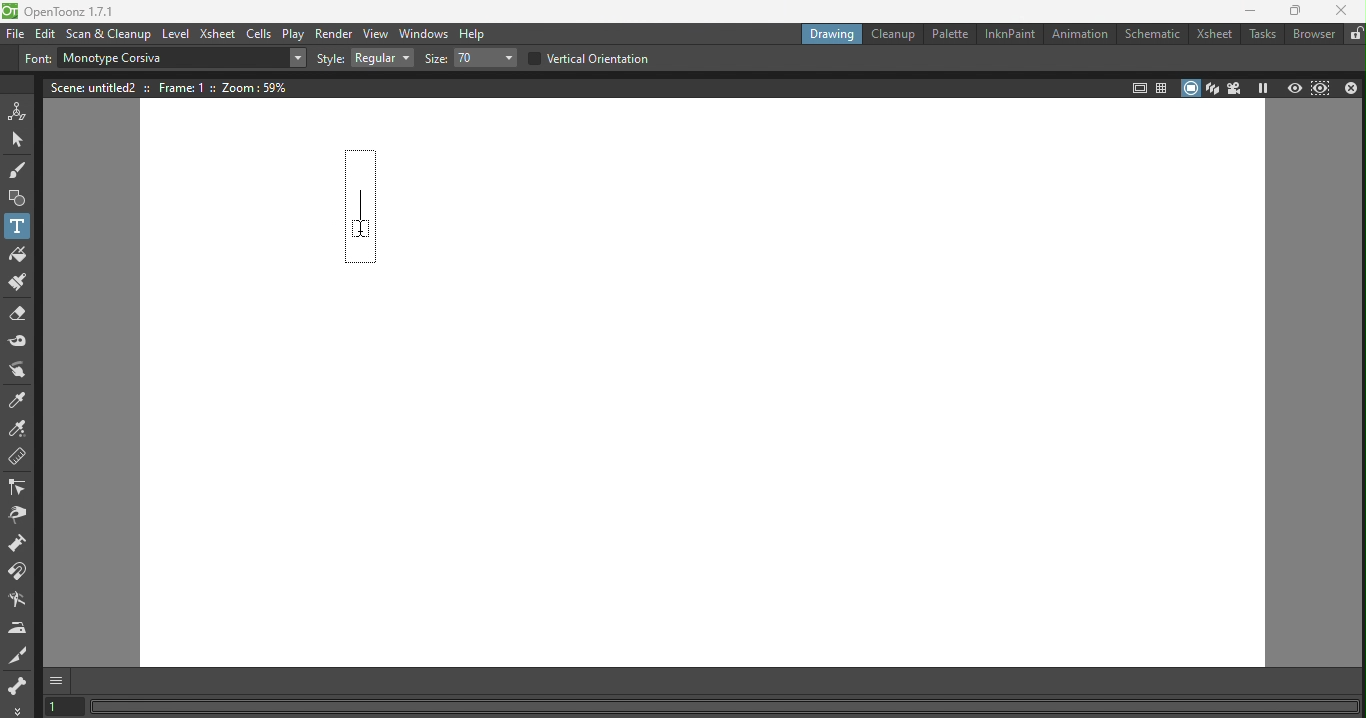  What do you see at coordinates (1234, 88) in the screenshot?
I see `Camera view` at bounding box center [1234, 88].